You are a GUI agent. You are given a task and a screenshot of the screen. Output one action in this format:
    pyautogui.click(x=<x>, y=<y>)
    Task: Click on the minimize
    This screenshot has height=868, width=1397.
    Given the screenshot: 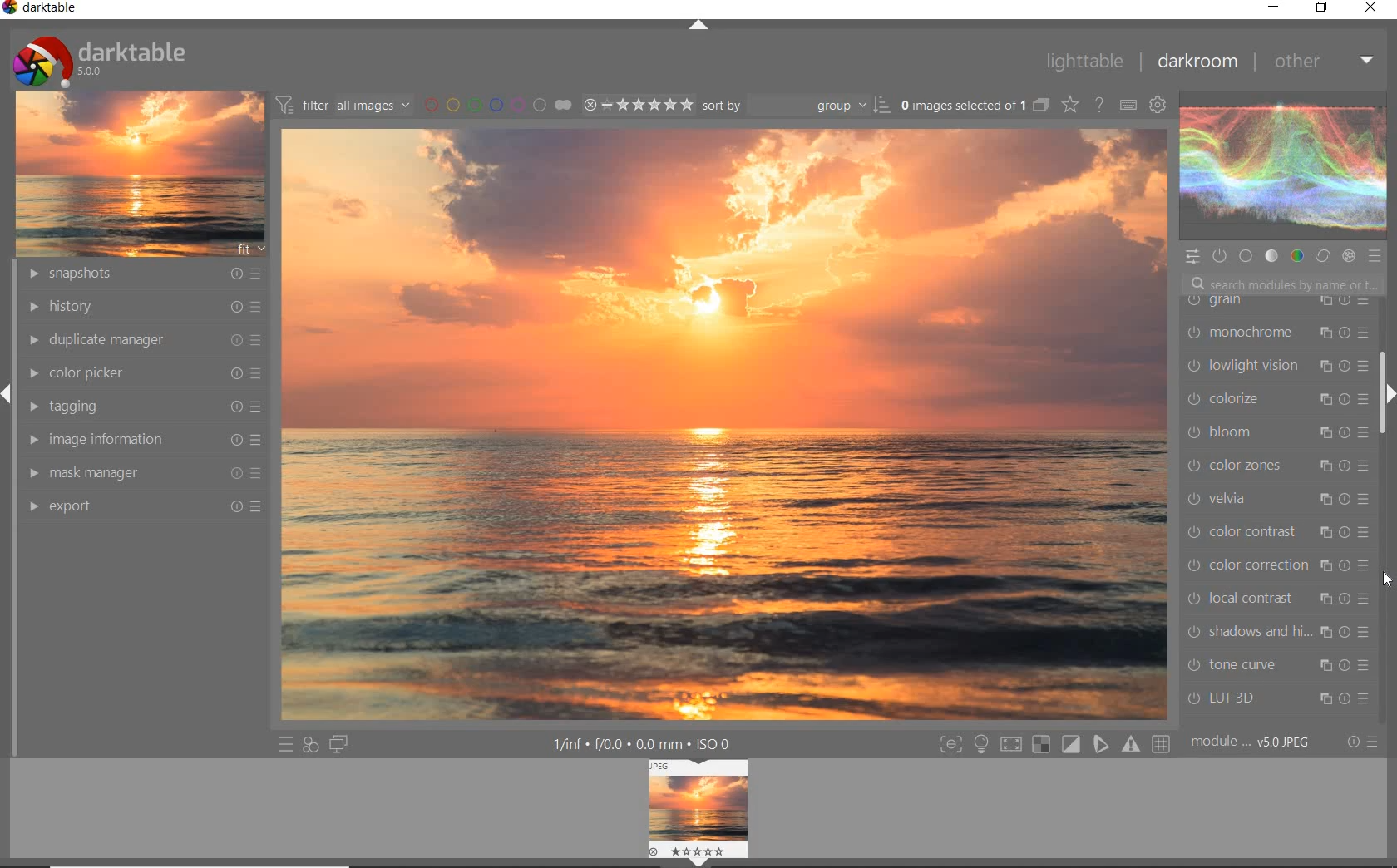 What is the action you would take?
    pyautogui.click(x=1276, y=6)
    